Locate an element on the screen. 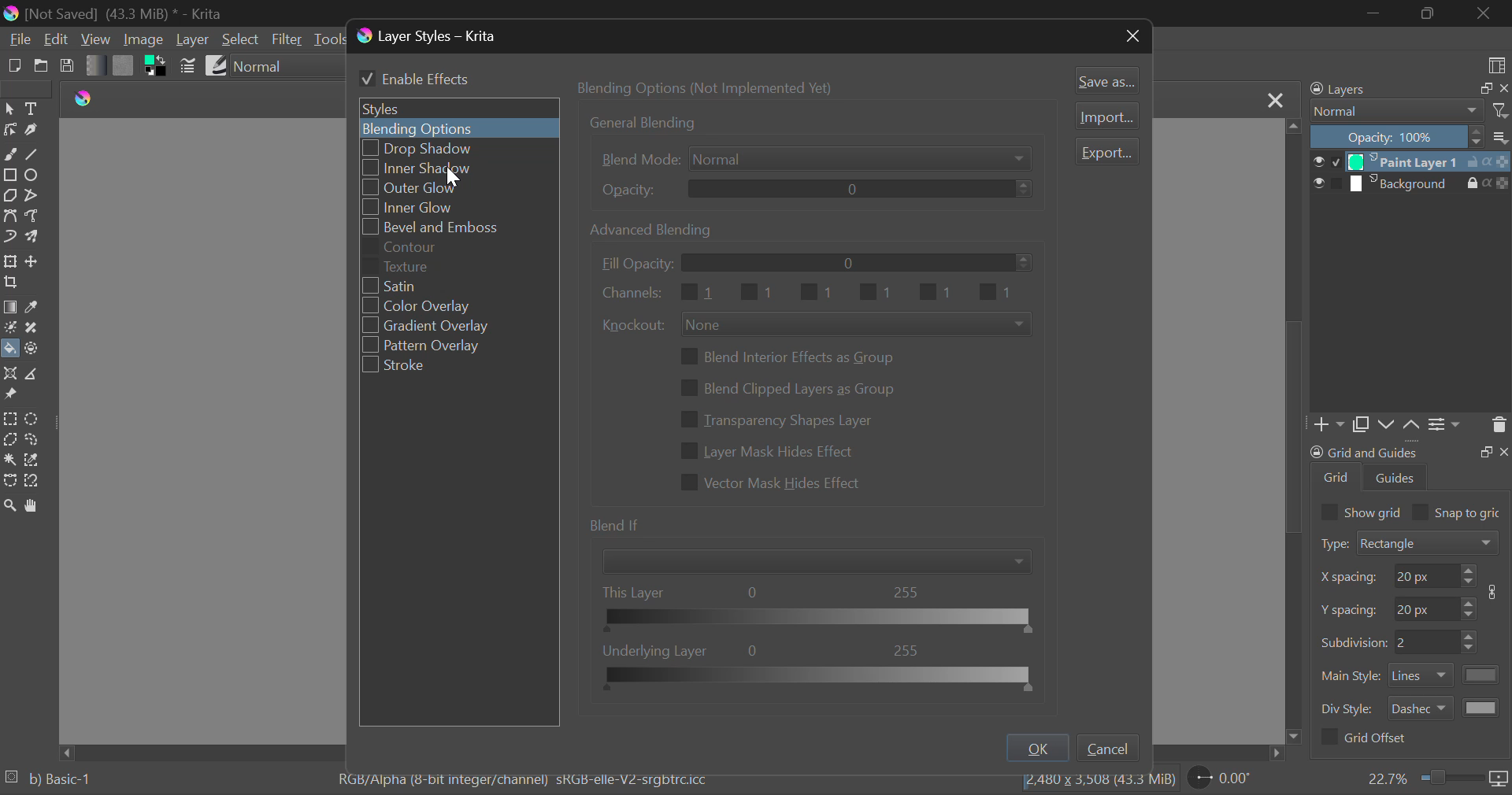 This screenshot has height=795, width=1512. Continuous Selection is located at coordinates (9, 462).